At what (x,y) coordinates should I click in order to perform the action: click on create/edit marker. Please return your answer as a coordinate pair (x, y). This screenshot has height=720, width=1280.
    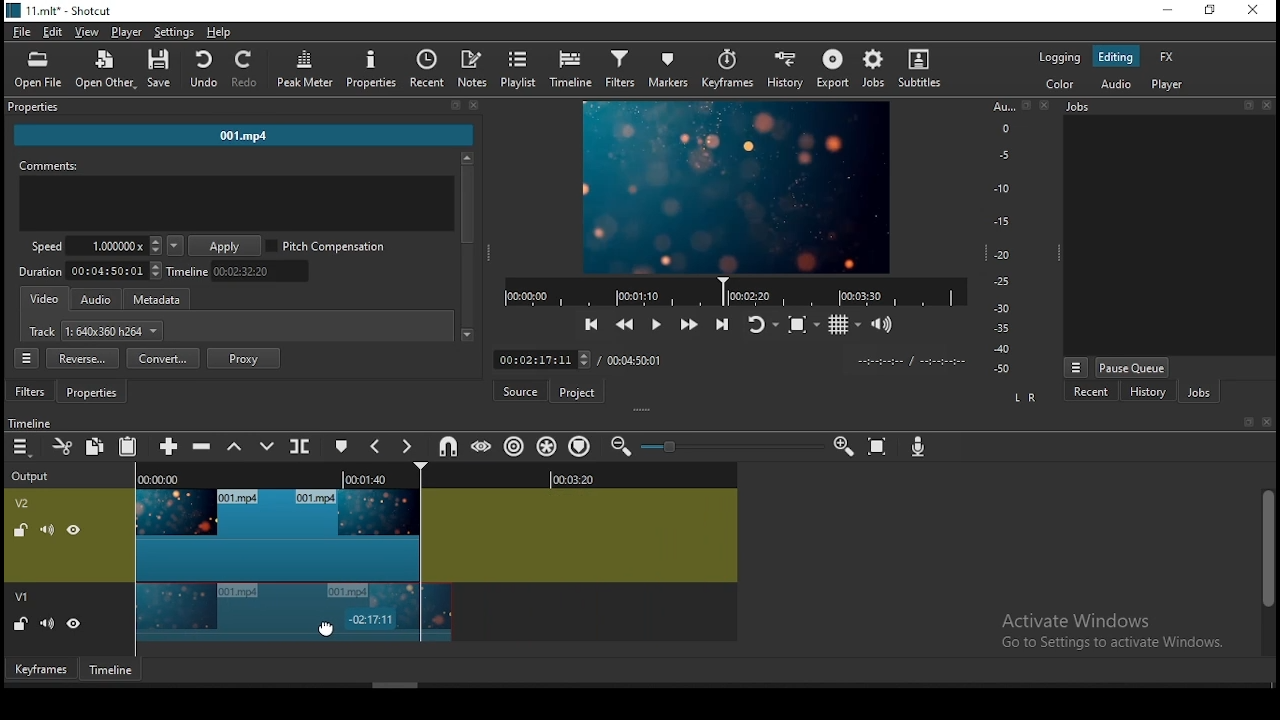
    Looking at the image, I should click on (339, 444).